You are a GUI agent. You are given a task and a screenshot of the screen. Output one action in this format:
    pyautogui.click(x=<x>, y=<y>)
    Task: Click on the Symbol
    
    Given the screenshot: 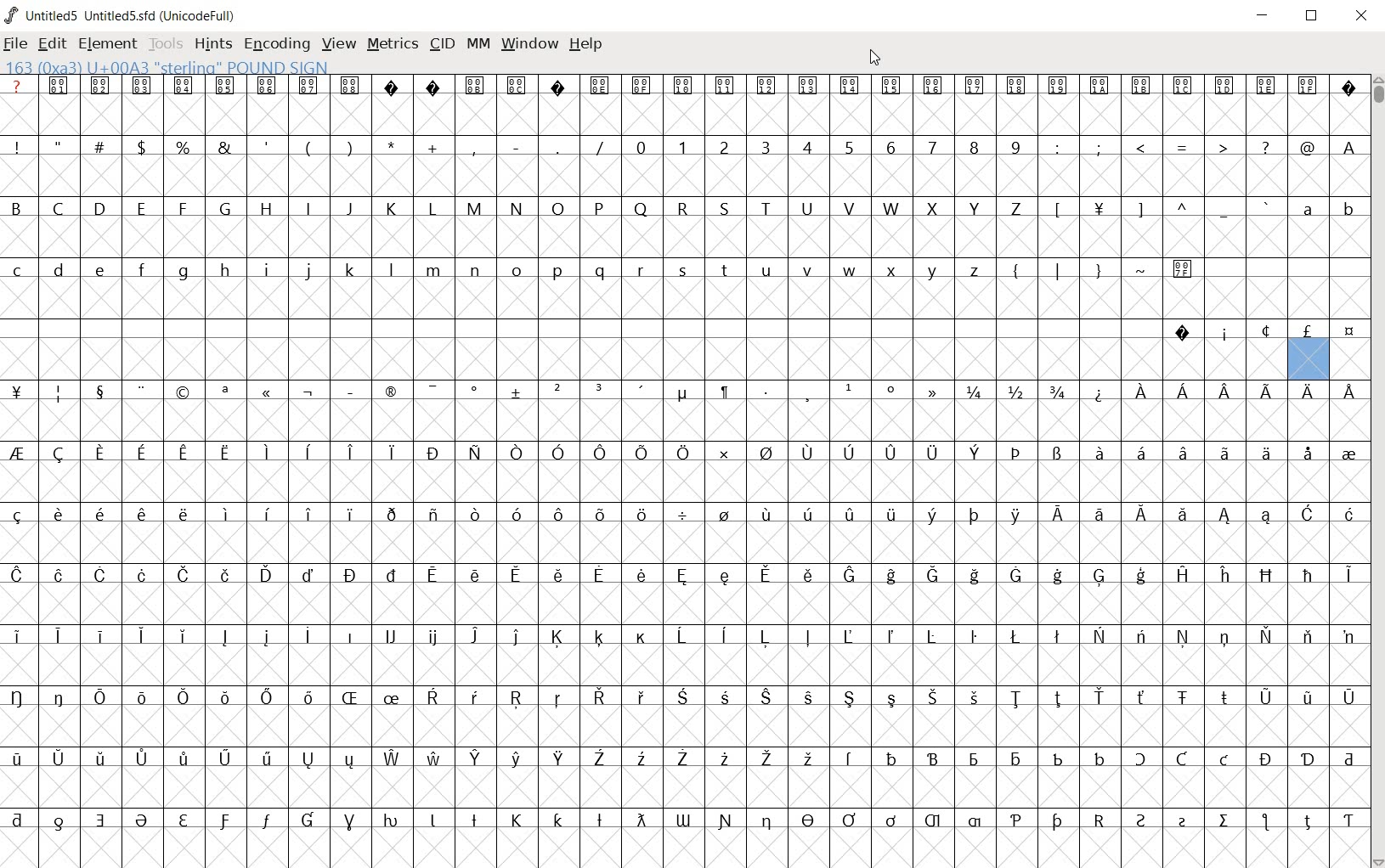 What is the action you would take?
    pyautogui.click(x=1225, y=516)
    